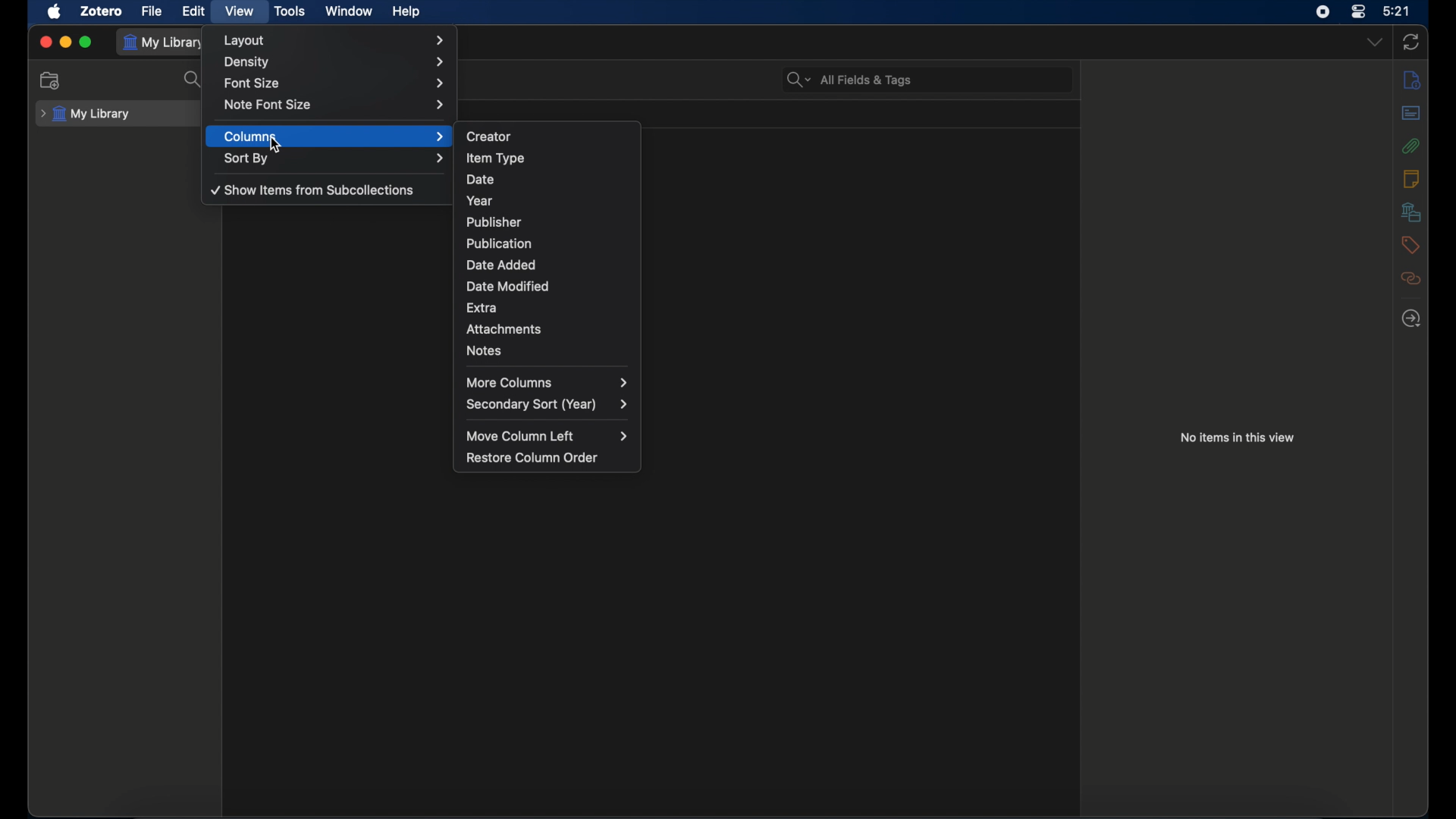 This screenshot has height=819, width=1456. What do you see at coordinates (548, 405) in the screenshot?
I see `secondary sort` at bounding box center [548, 405].